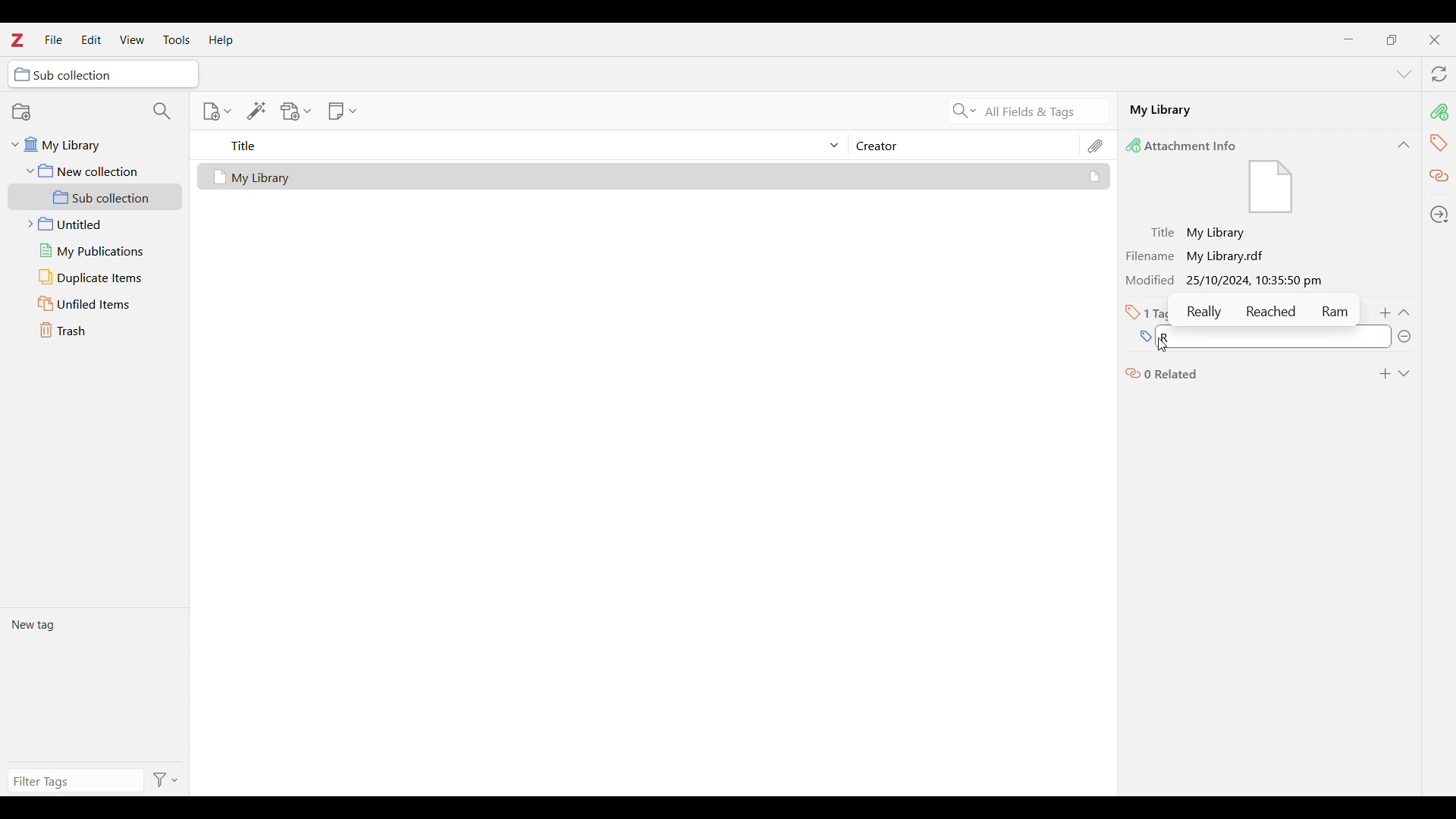  What do you see at coordinates (103, 74) in the screenshot?
I see `Selected folder` at bounding box center [103, 74].